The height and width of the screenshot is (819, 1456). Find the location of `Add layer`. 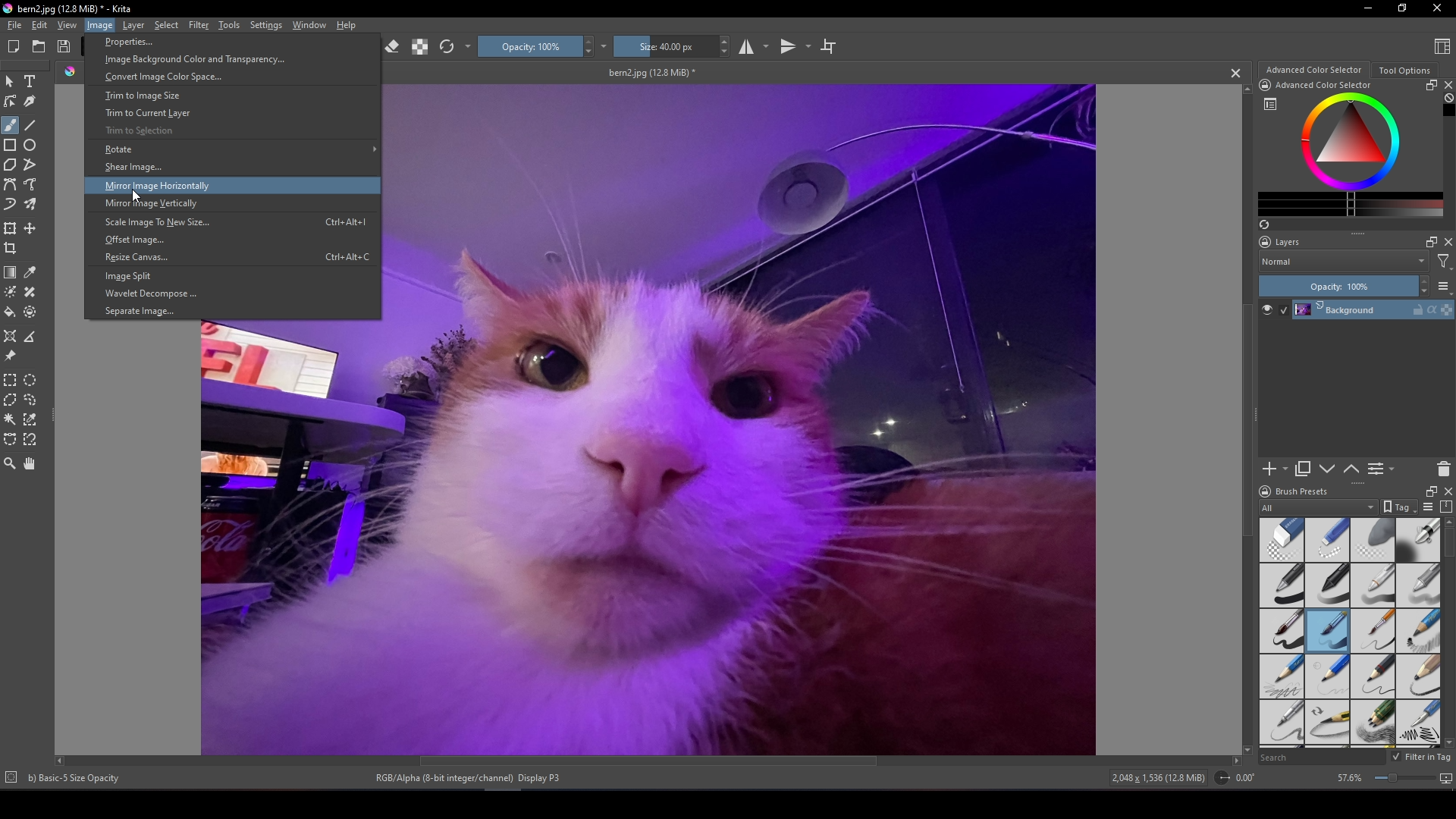

Add layer is located at coordinates (1276, 469).